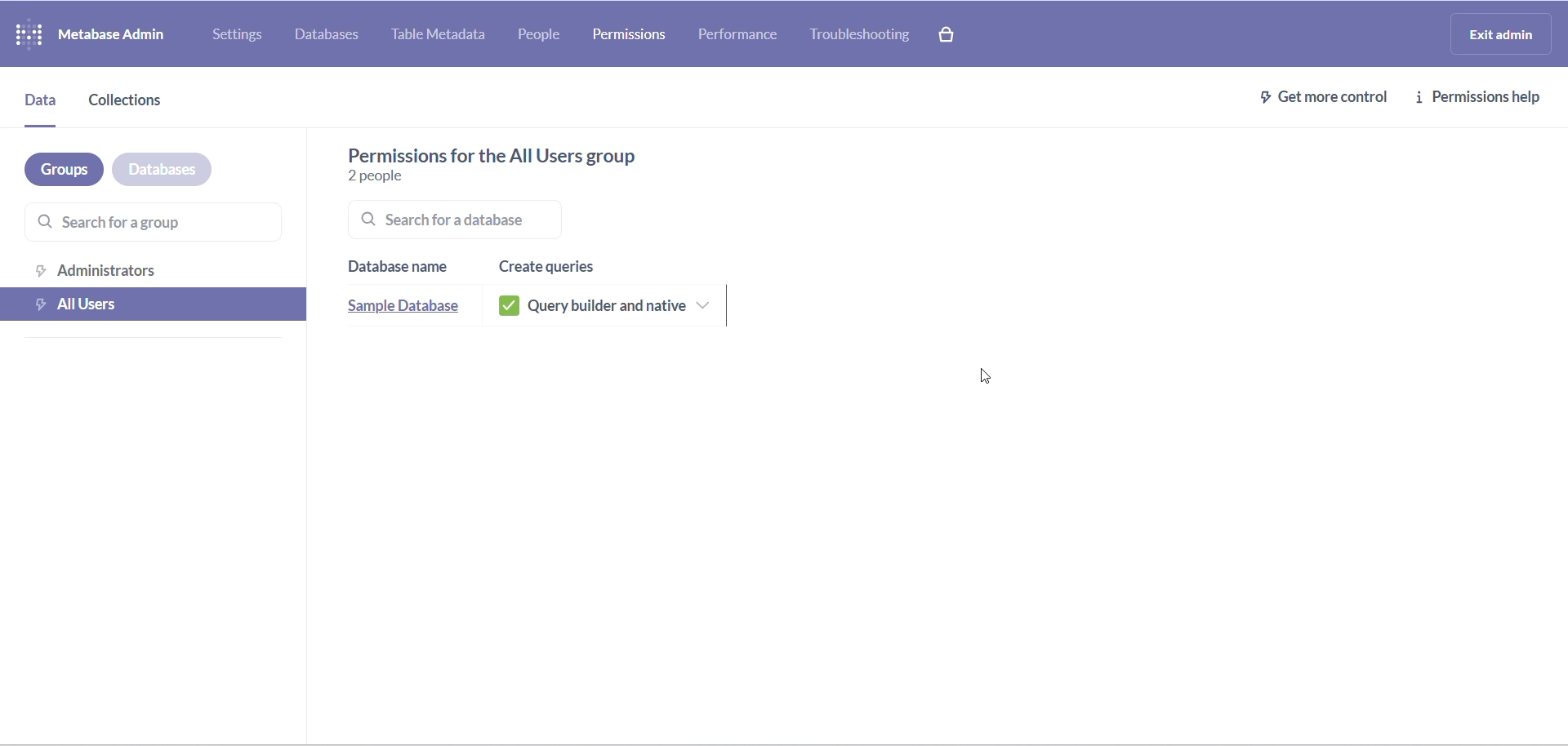  What do you see at coordinates (400, 266) in the screenshot?
I see `database name` at bounding box center [400, 266].